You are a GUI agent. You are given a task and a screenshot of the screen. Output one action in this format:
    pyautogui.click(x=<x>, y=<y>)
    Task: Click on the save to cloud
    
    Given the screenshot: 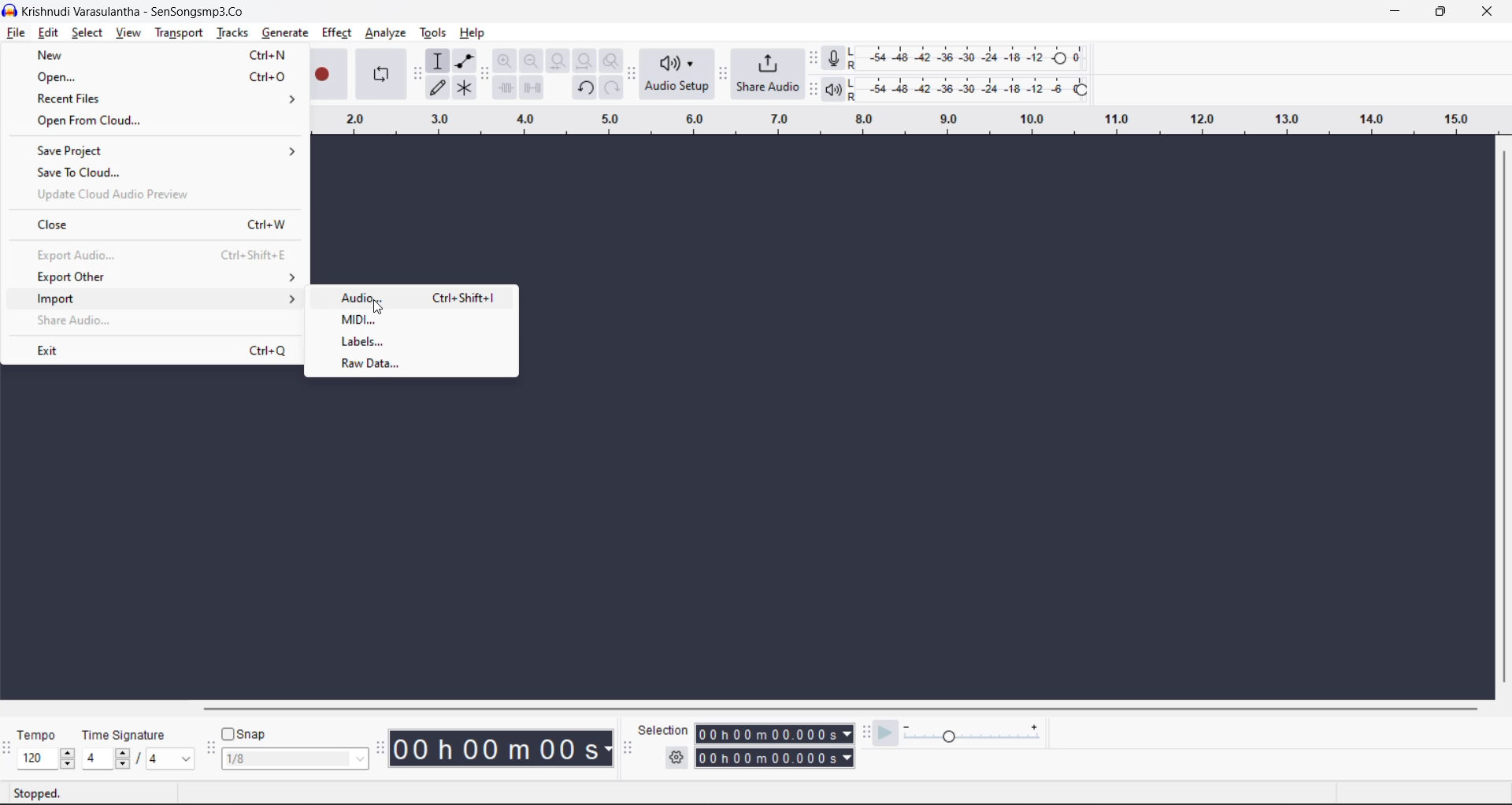 What is the action you would take?
    pyautogui.click(x=150, y=172)
    